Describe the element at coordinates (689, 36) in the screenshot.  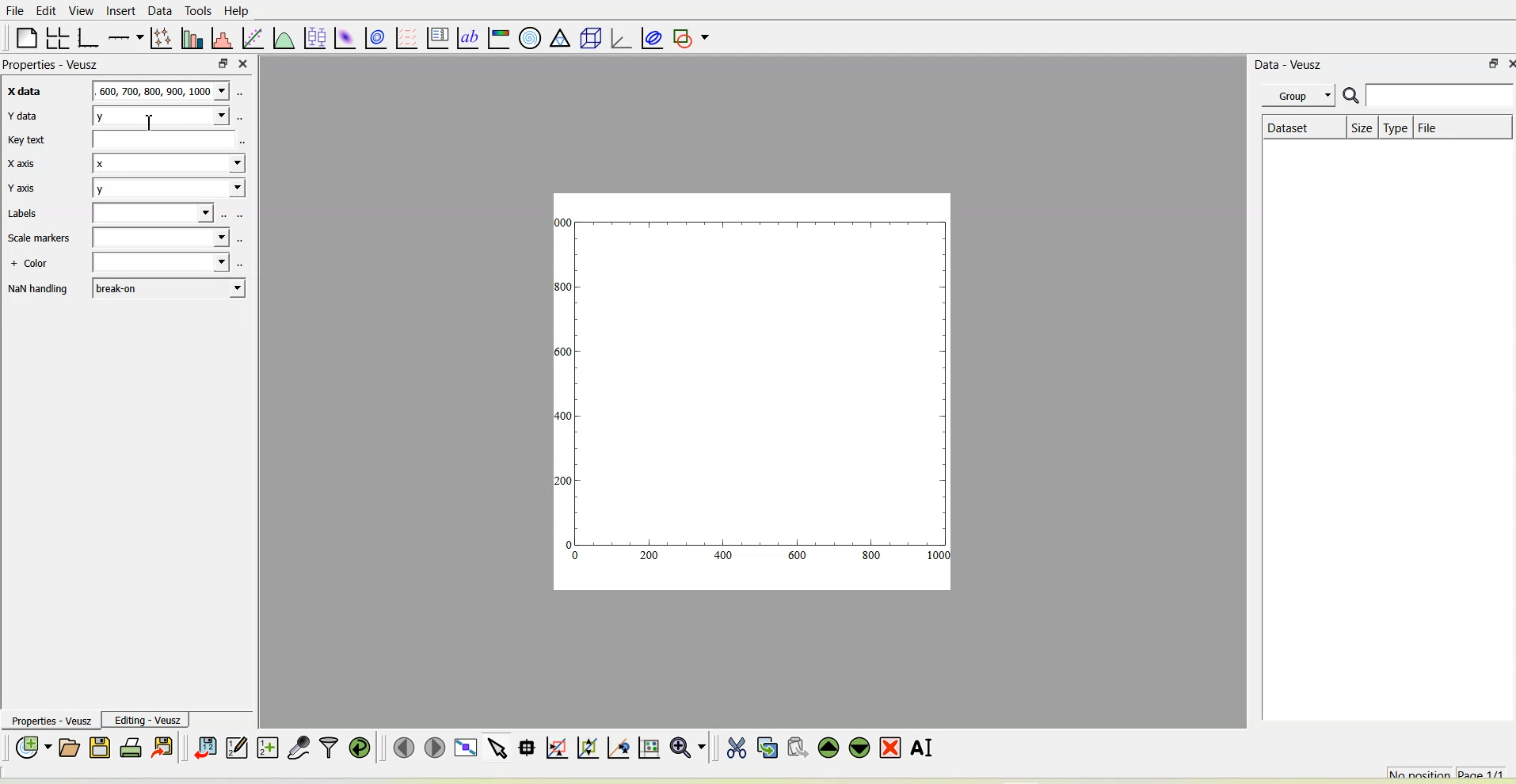
I see `Add a shape to the plot` at that location.